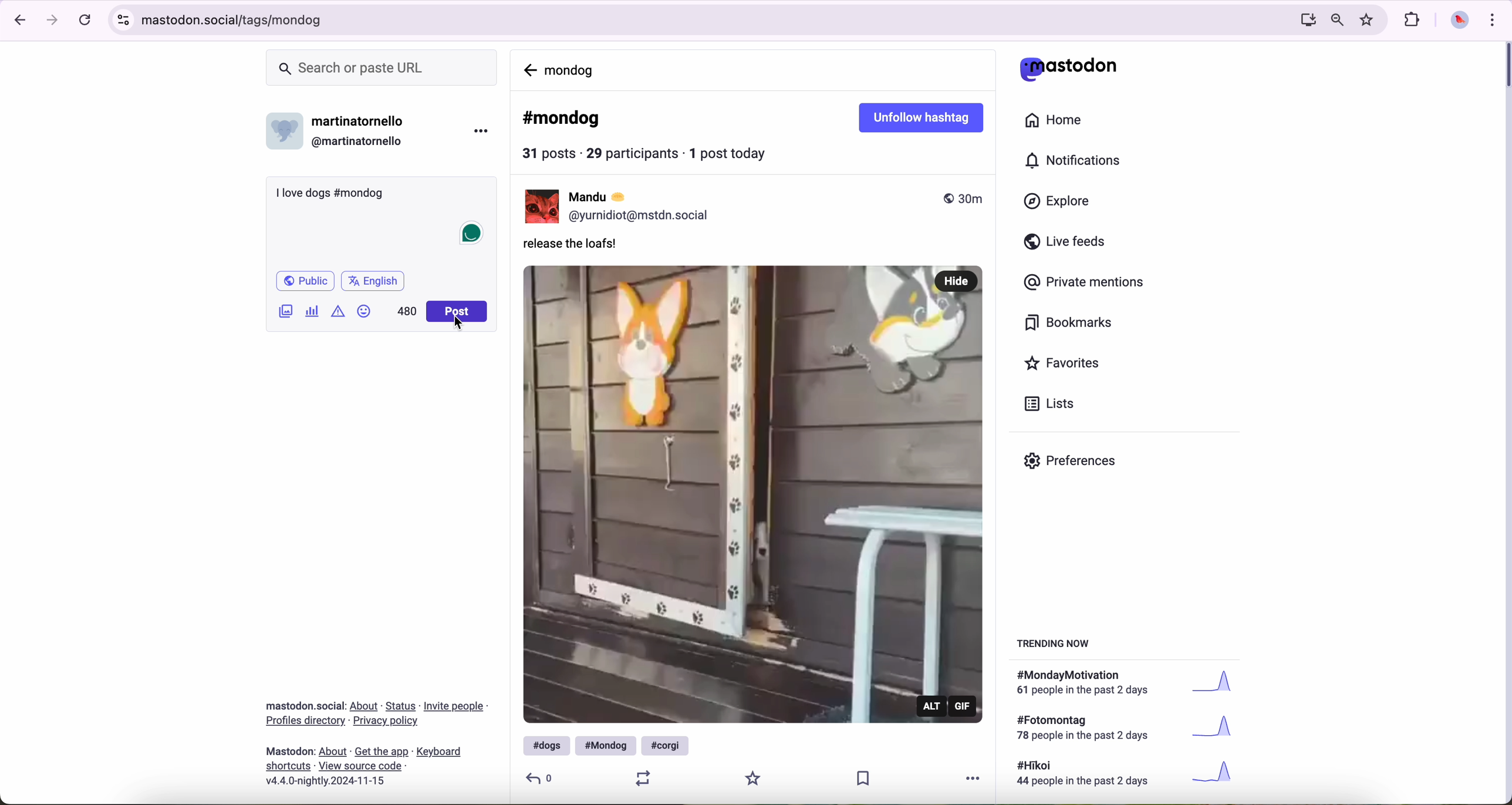  I want to click on Mastodon social, so click(302, 706).